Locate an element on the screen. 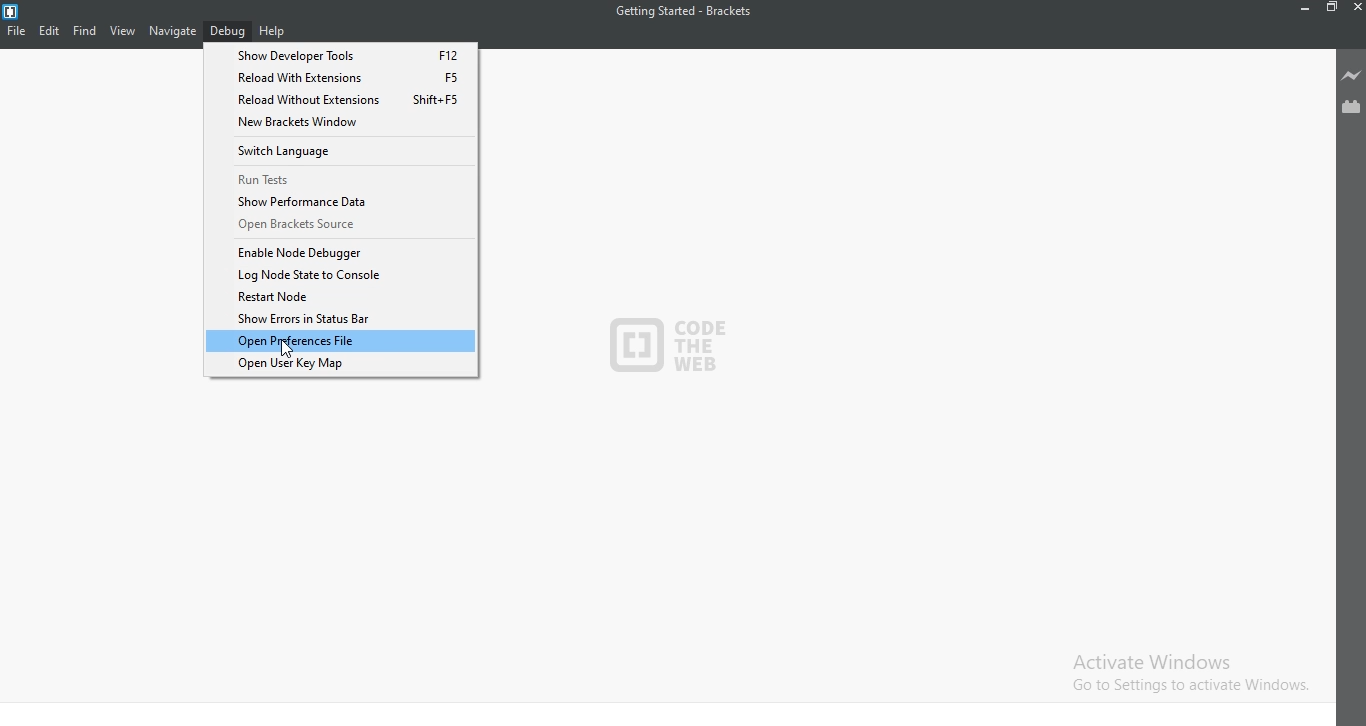 The width and height of the screenshot is (1366, 726). reload without extensions is located at coordinates (340, 98).